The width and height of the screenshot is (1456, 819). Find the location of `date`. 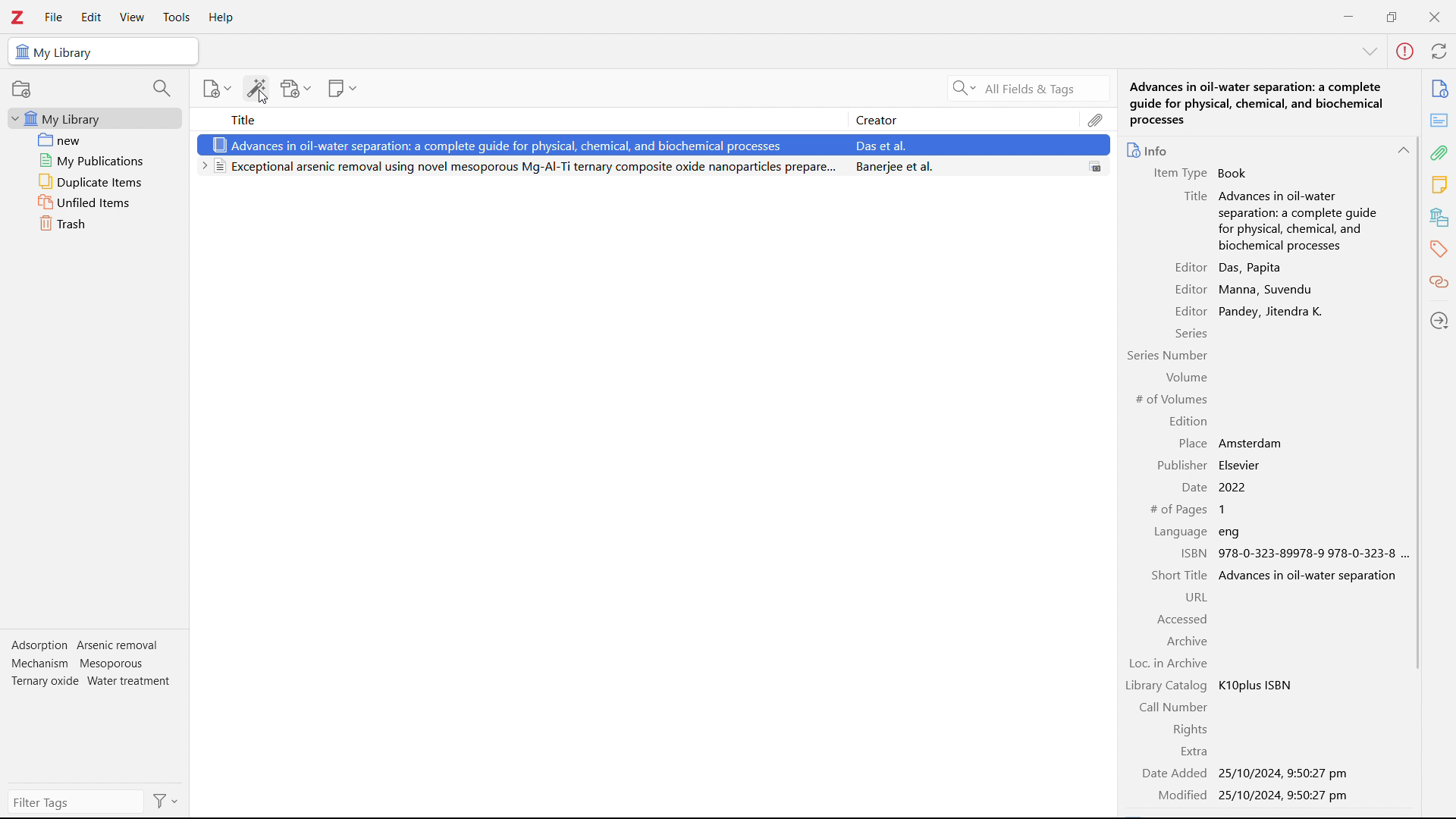

date is located at coordinates (1191, 488).